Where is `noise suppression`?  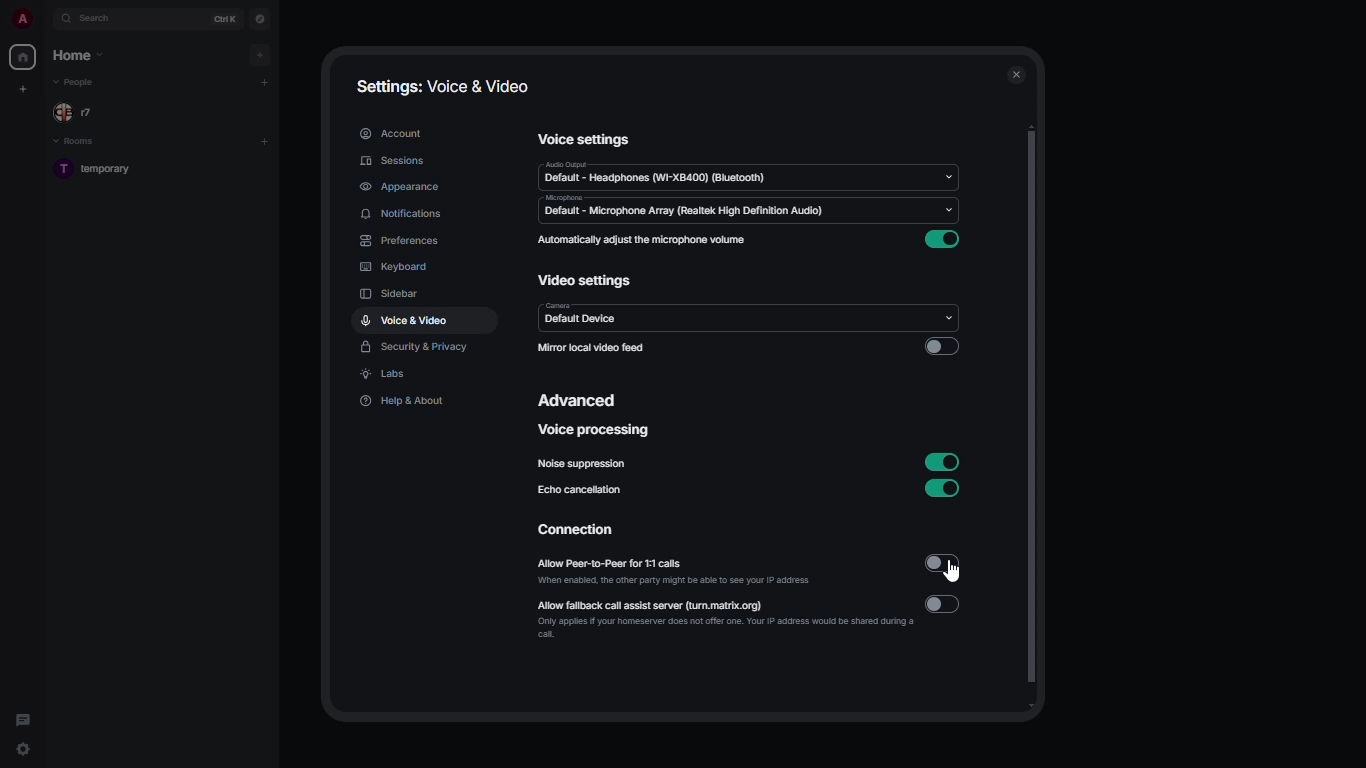
noise suppression is located at coordinates (583, 465).